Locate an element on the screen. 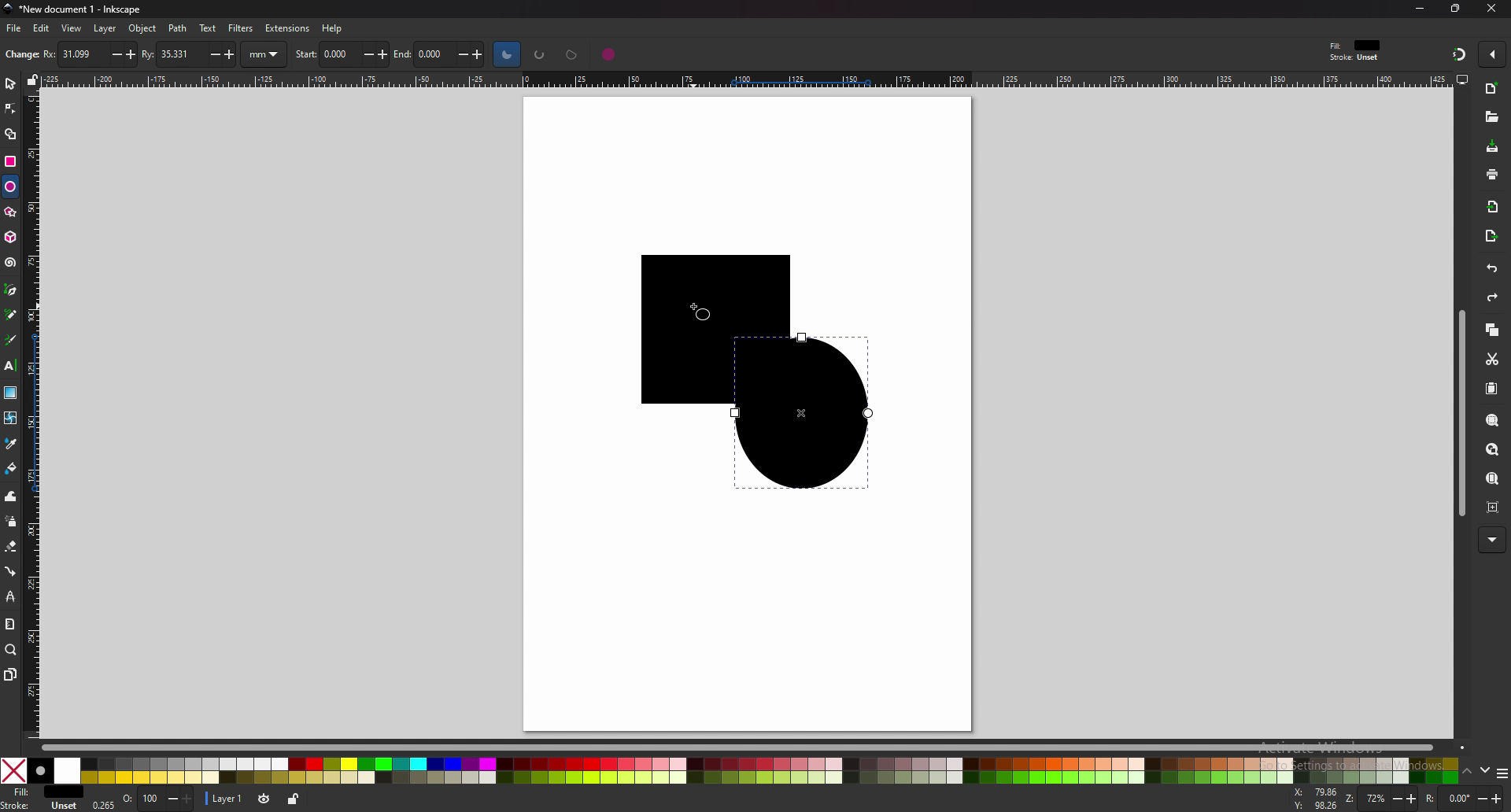 Image resolution: width=1511 pixels, height=812 pixels. shape builder is located at coordinates (9, 135).